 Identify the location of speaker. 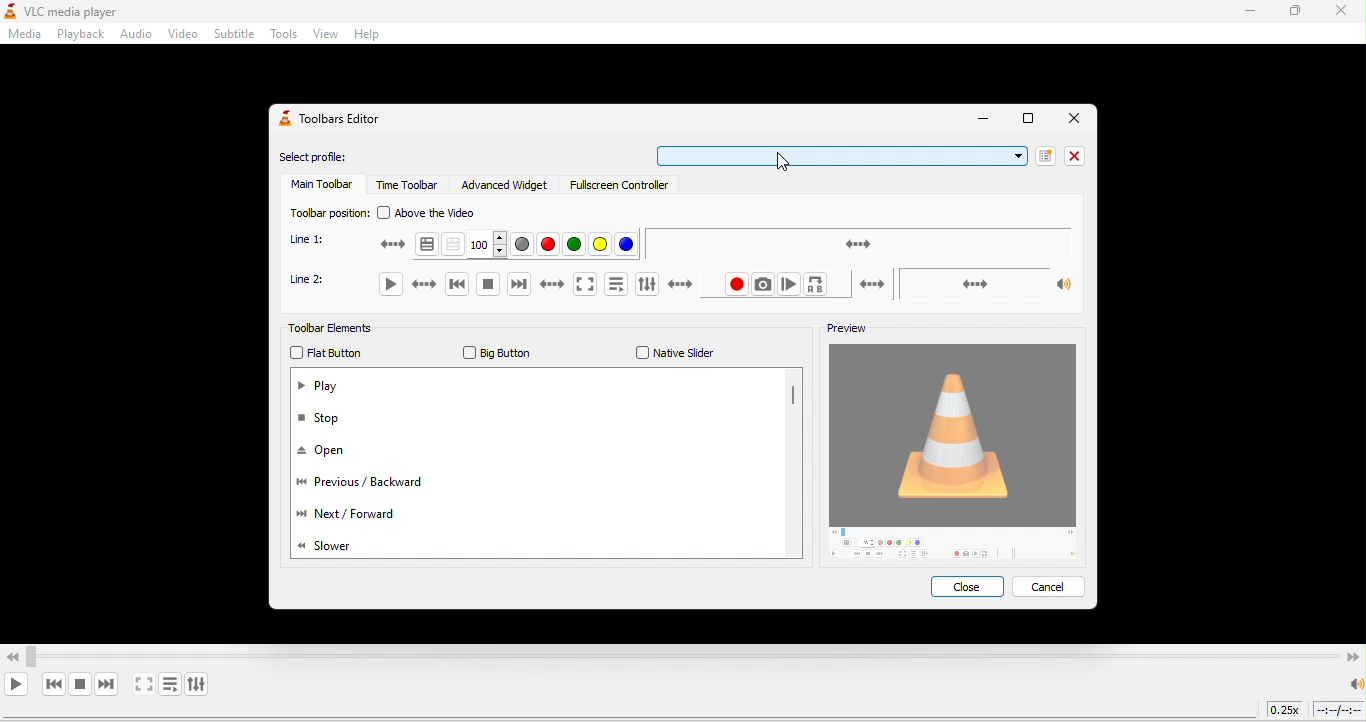
(1354, 684).